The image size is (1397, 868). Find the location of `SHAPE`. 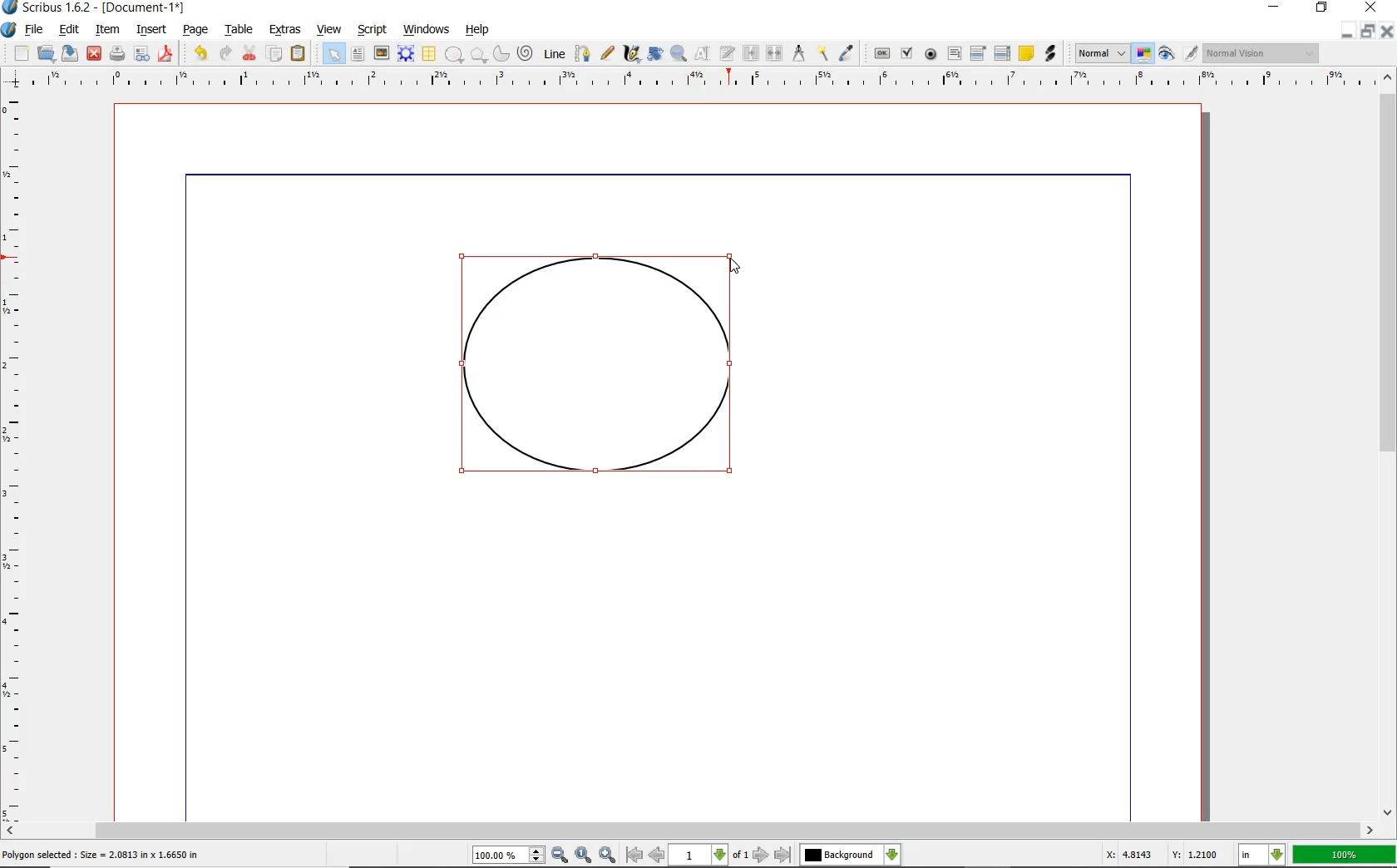

SHAPE is located at coordinates (453, 55).